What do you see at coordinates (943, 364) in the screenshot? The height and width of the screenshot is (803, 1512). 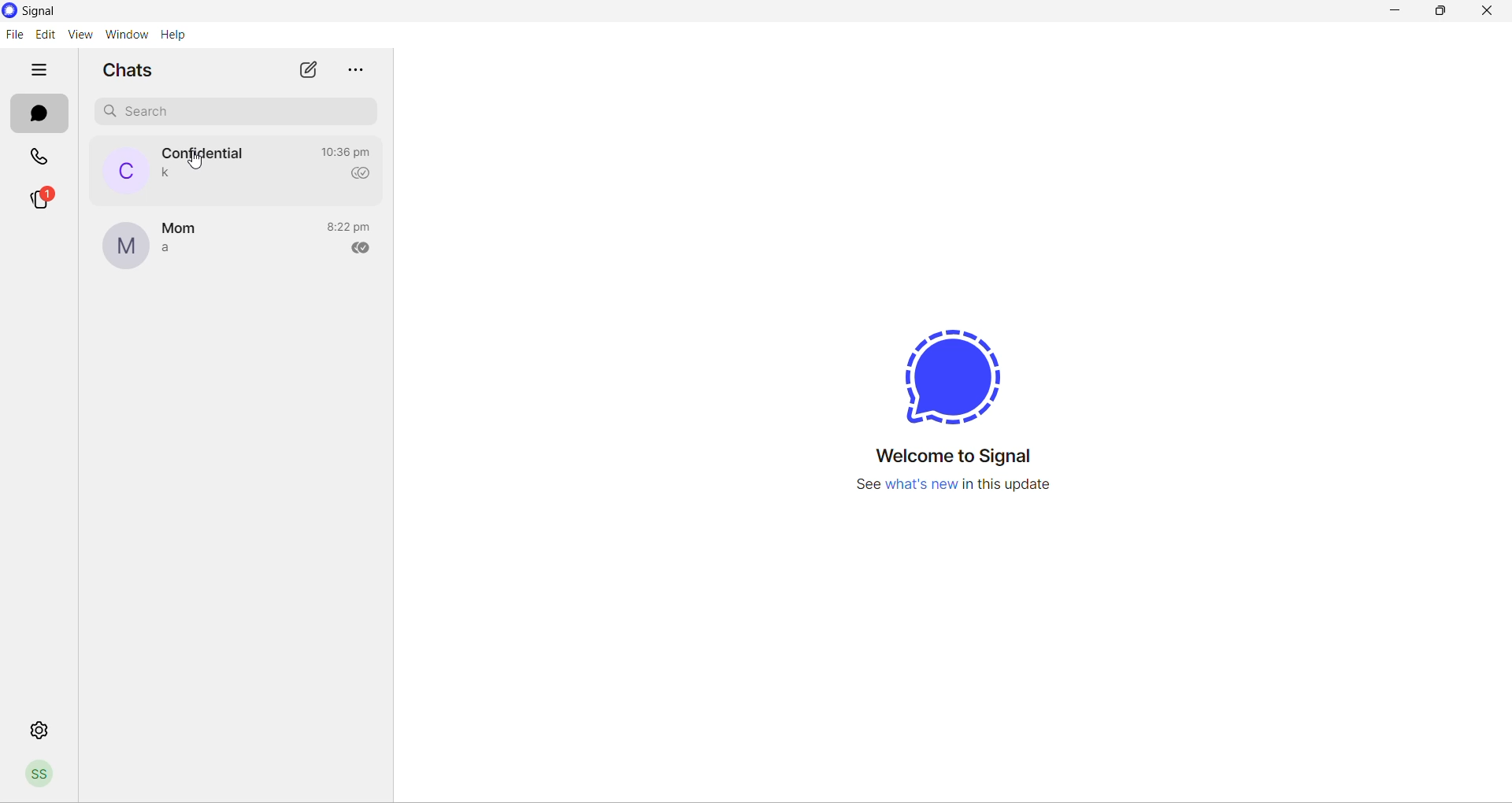 I see `signal logo` at bounding box center [943, 364].